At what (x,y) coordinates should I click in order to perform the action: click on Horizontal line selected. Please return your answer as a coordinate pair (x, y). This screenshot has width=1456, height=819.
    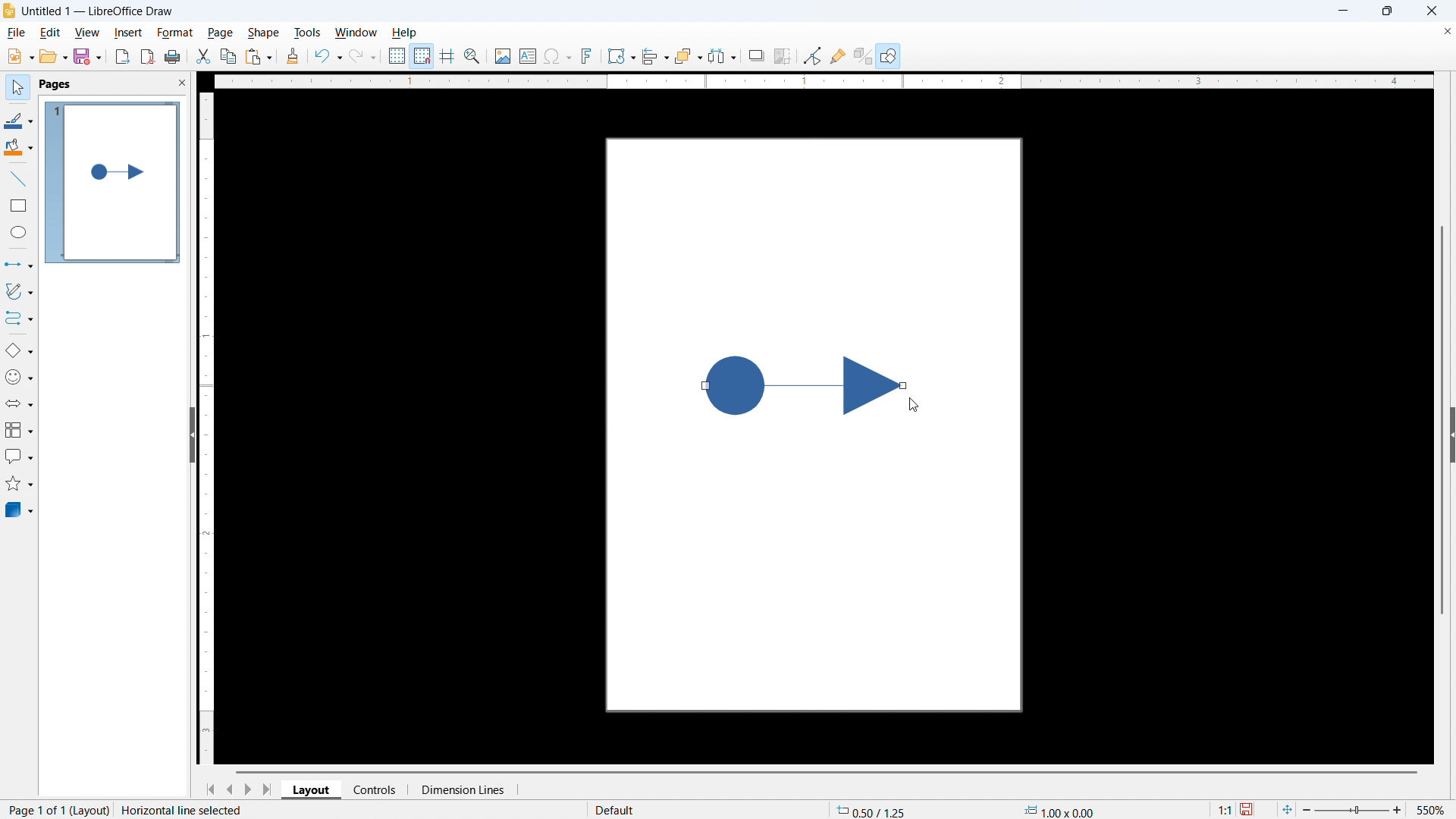
    Looking at the image, I should click on (185, 810).